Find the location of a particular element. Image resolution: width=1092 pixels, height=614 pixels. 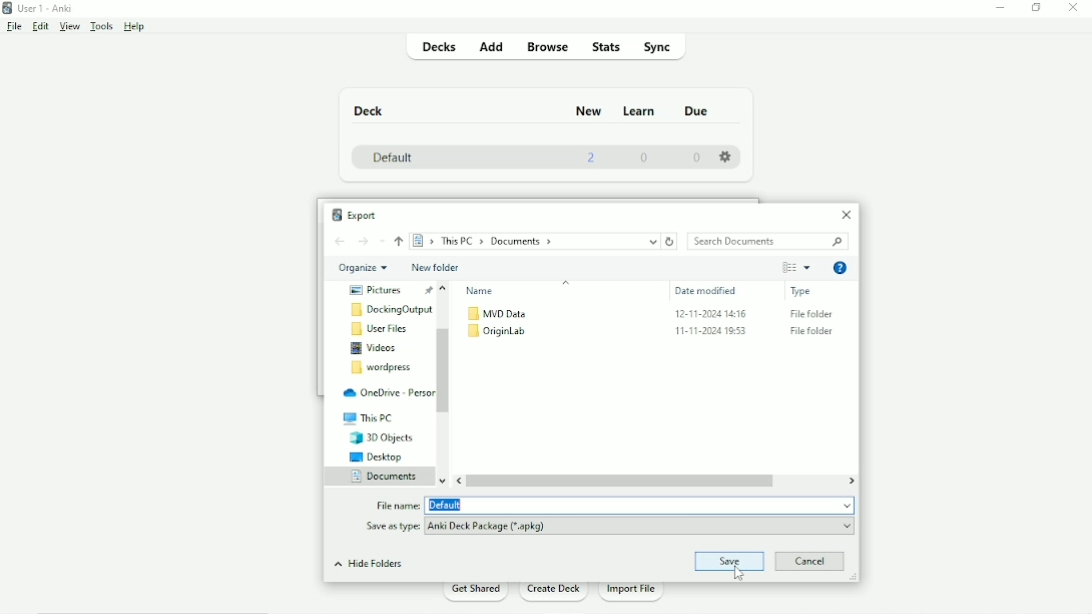

3D Objects is located at coordinates (382, 439).